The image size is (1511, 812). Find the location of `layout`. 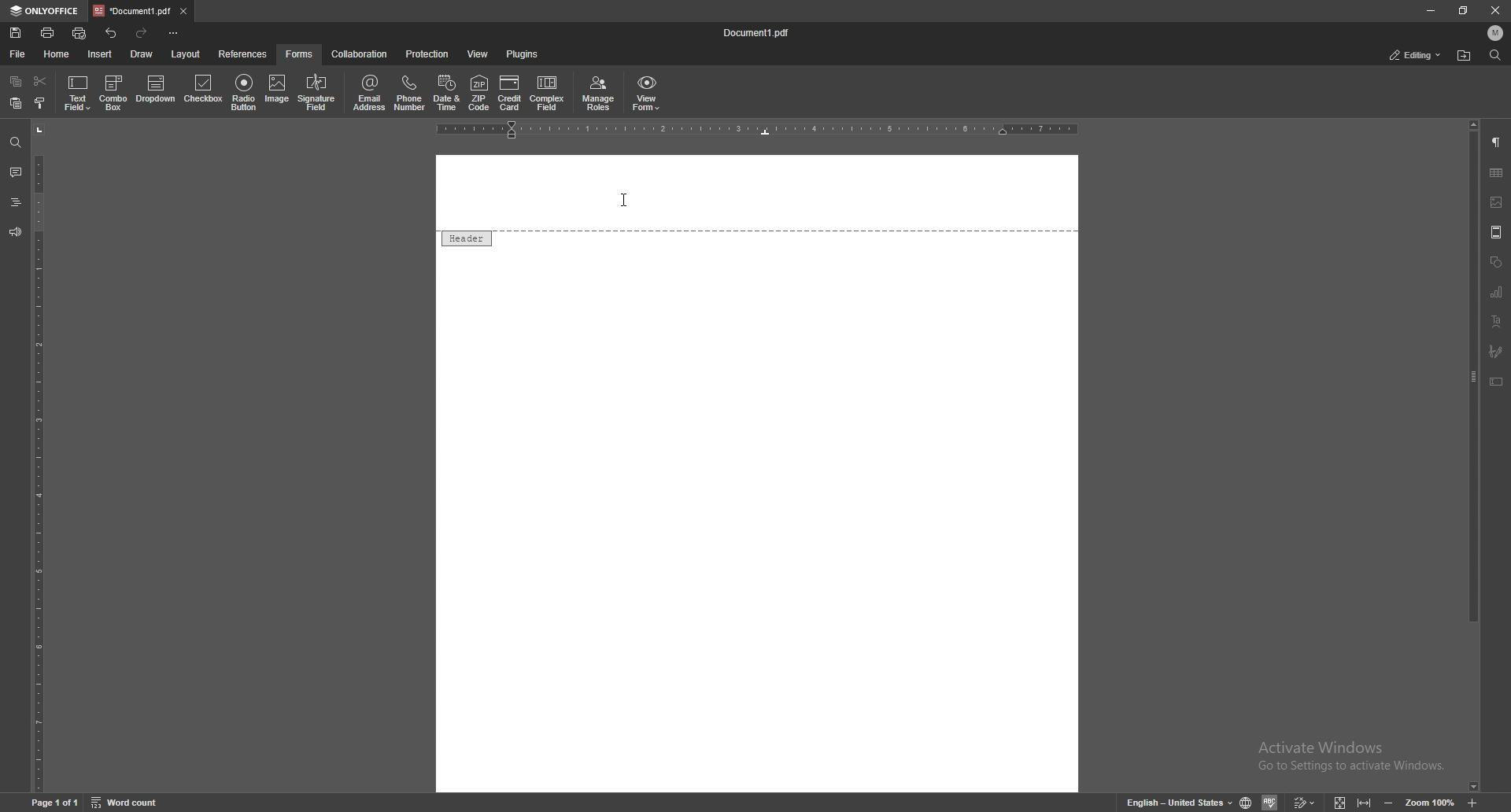

layout is located at coordinates (187, 54).